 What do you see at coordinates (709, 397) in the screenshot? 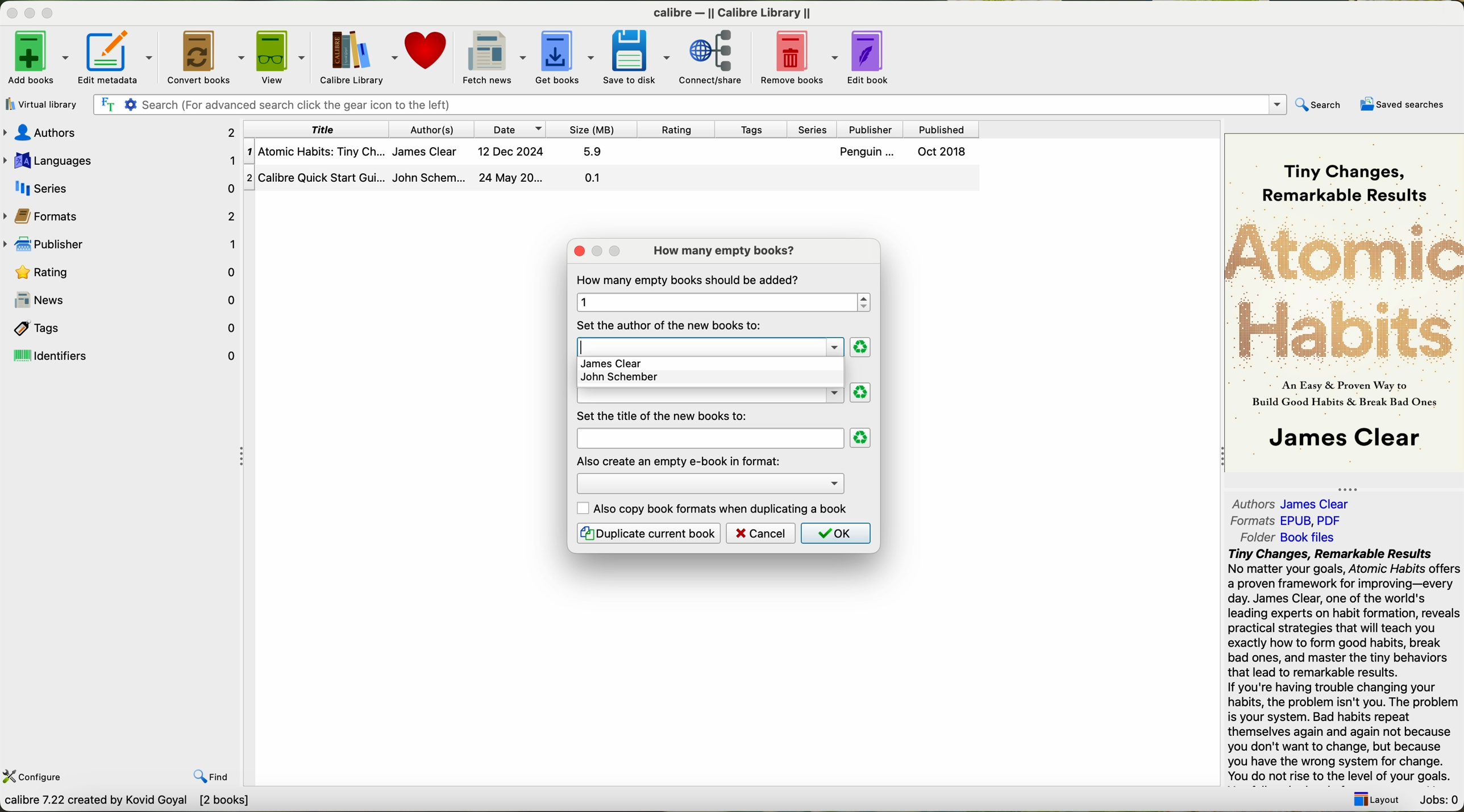
I see `series option` at bounding box center [709, 397].